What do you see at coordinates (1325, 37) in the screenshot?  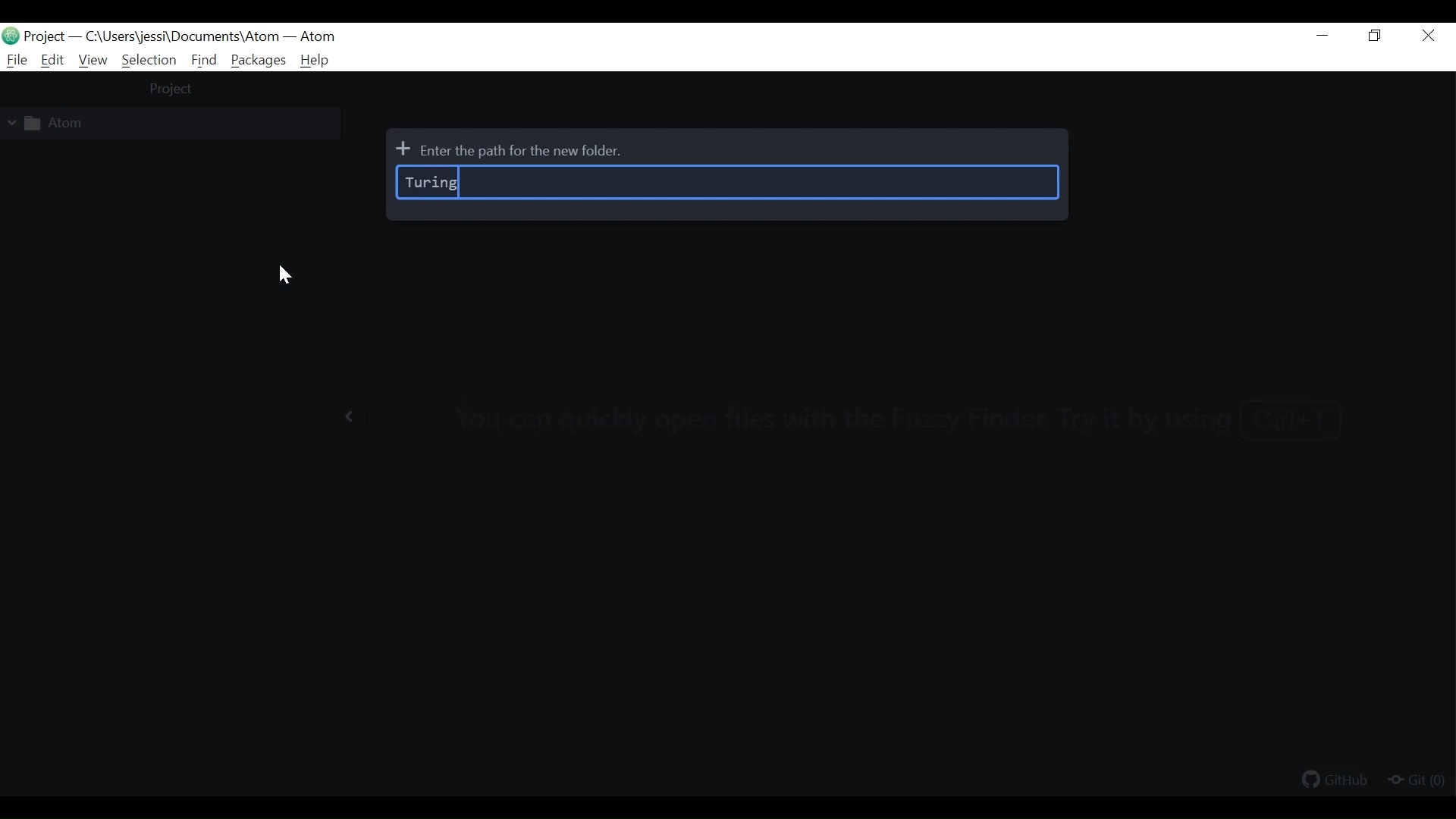 I see `Minimize` at bounding box center [1325, 37].